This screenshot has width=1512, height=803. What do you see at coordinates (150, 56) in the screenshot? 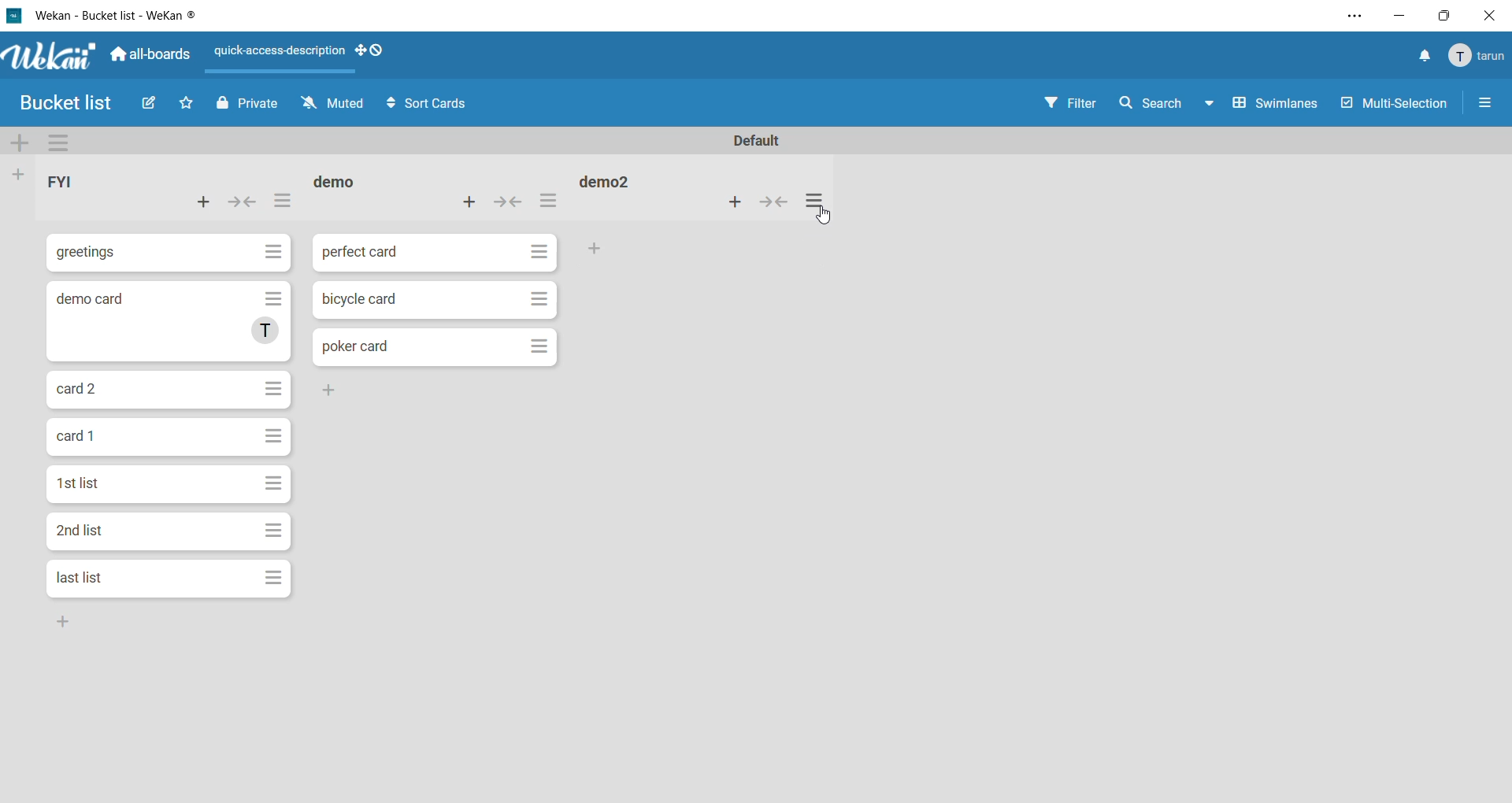
I see `all boards` at bounding box center [150, 56].